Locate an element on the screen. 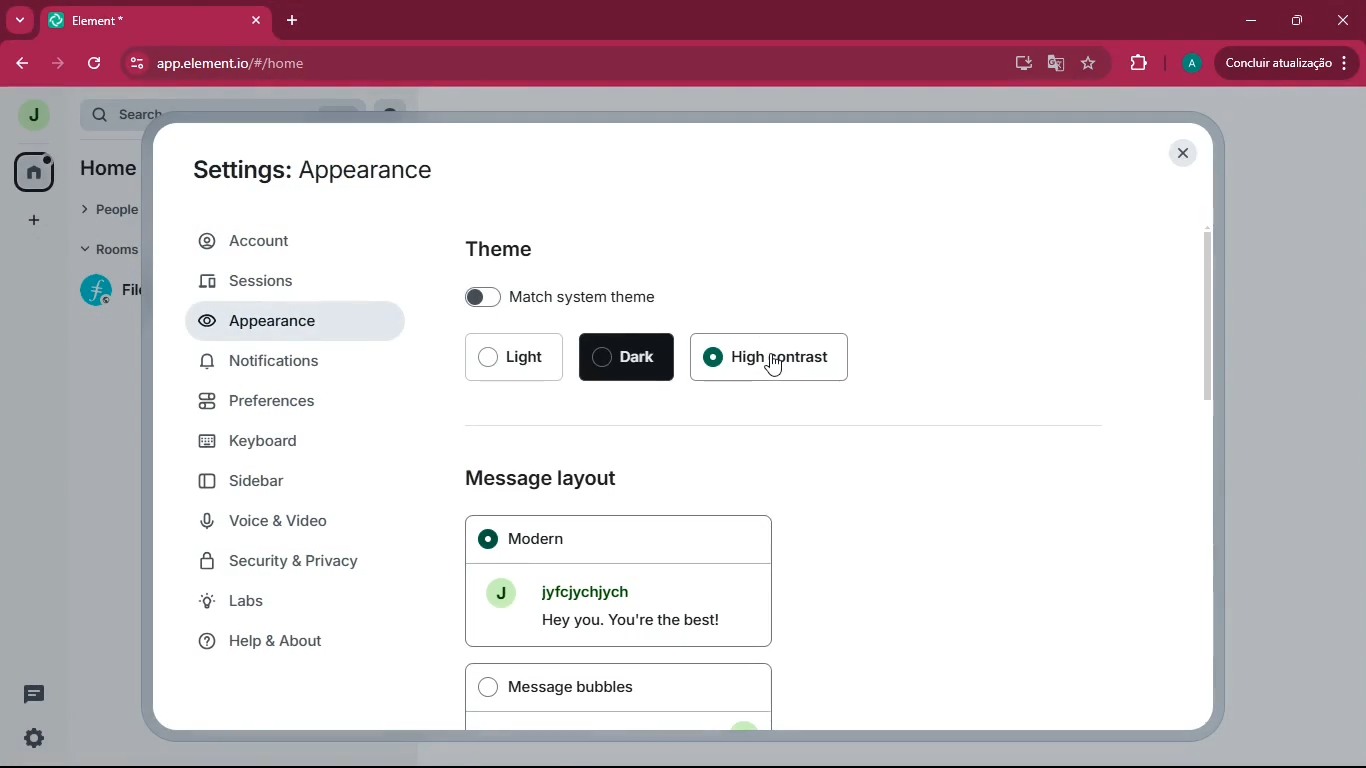 The width and height of the screenshot is (1366, 768). appearance is located at coordinates (273, 323).